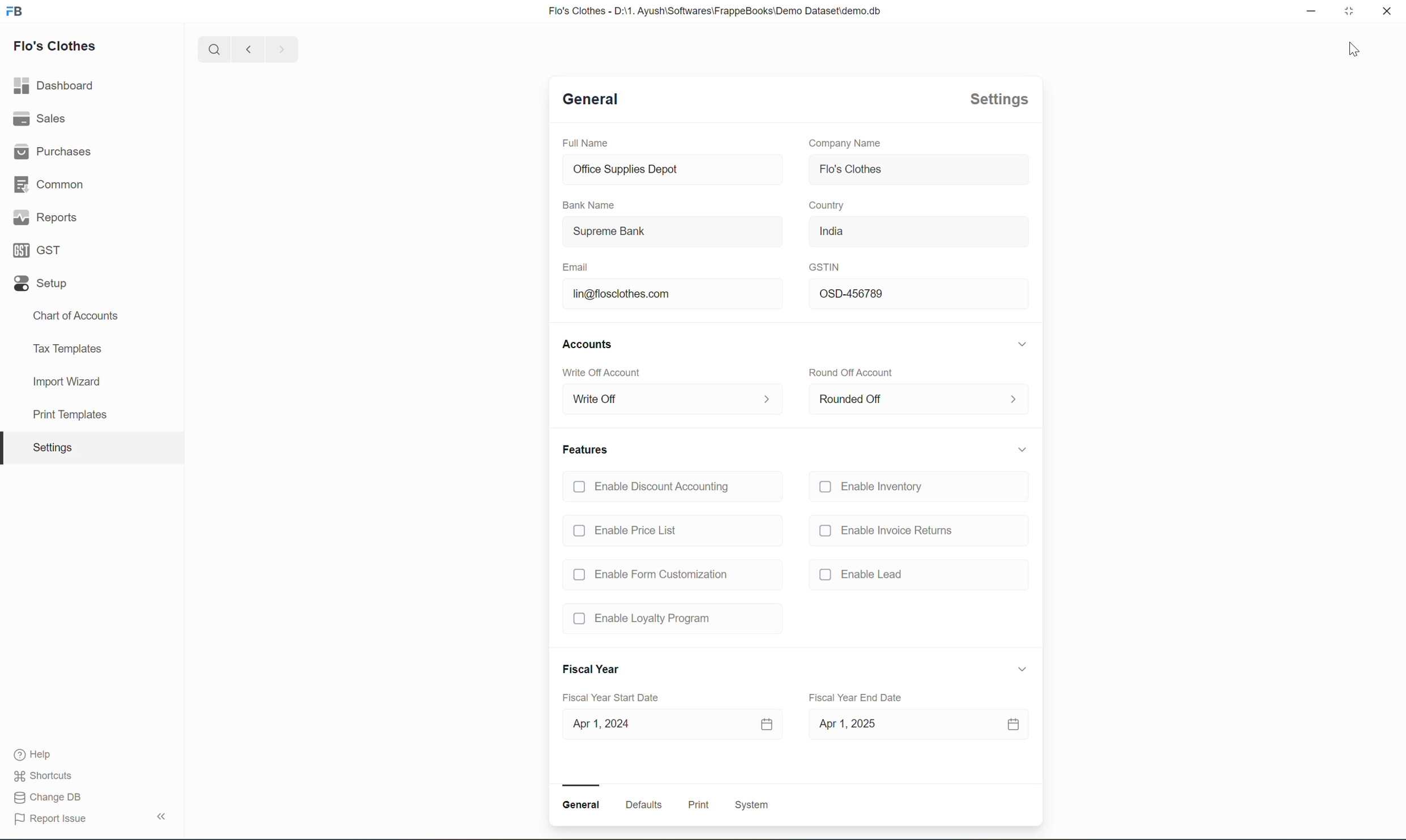  What do you see at coordinates (587, 98) in the screenshot?
I see `General` at bounding box center [587, 98].